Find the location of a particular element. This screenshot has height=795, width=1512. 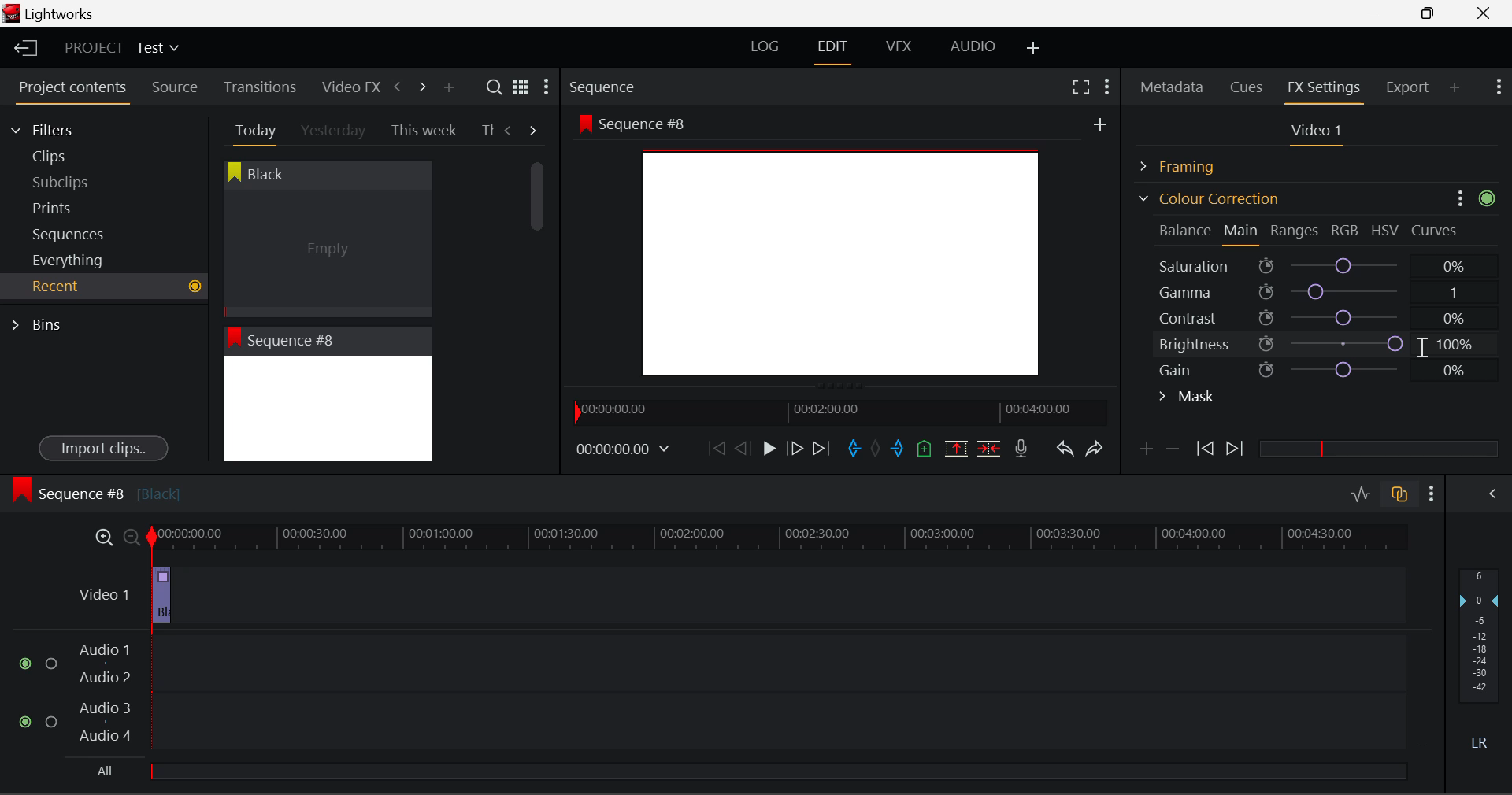

slider is located at coordinates (1378, 448).